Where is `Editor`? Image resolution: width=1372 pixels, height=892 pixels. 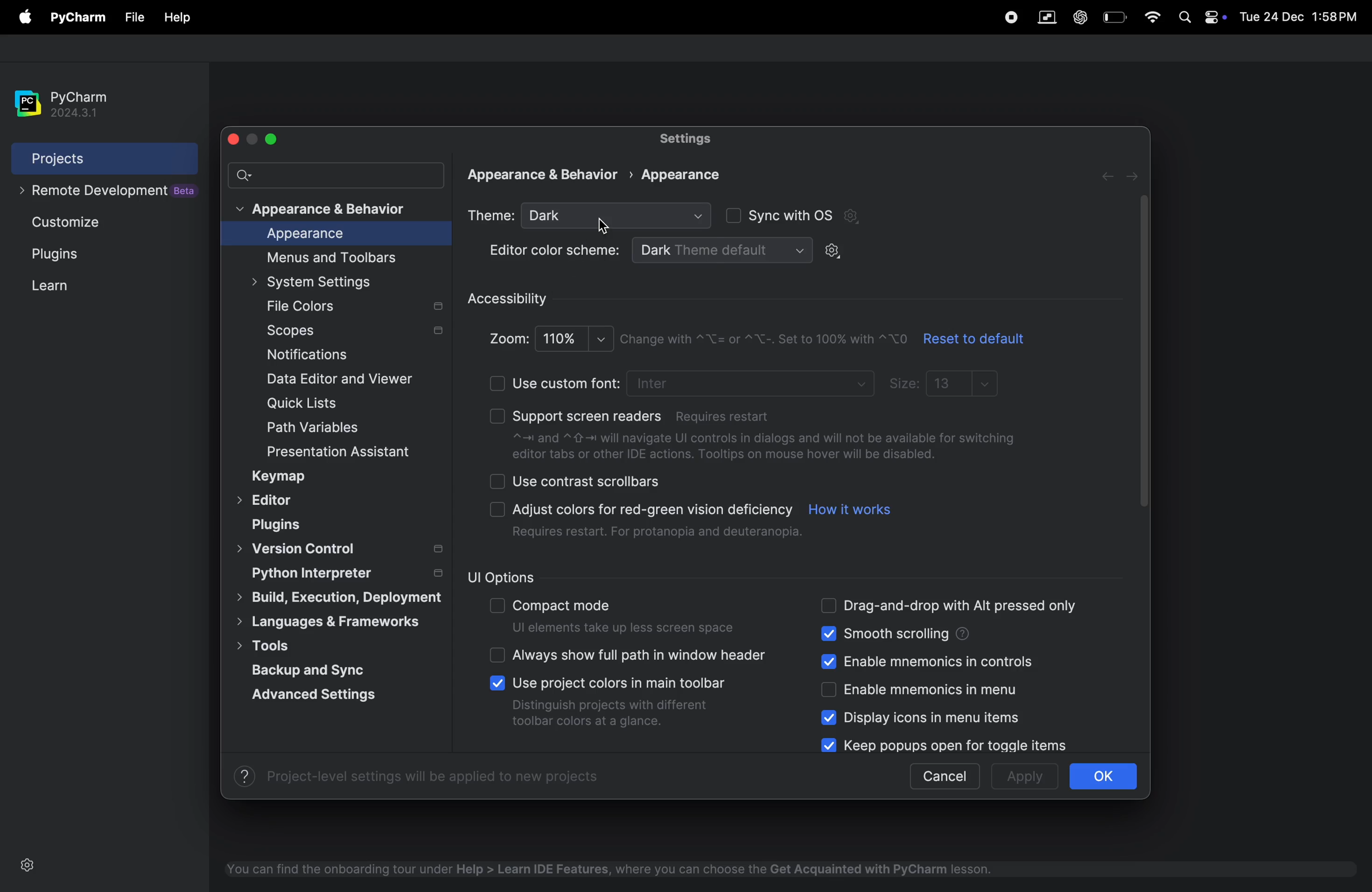 Editor is located at coordinates (270, 500).